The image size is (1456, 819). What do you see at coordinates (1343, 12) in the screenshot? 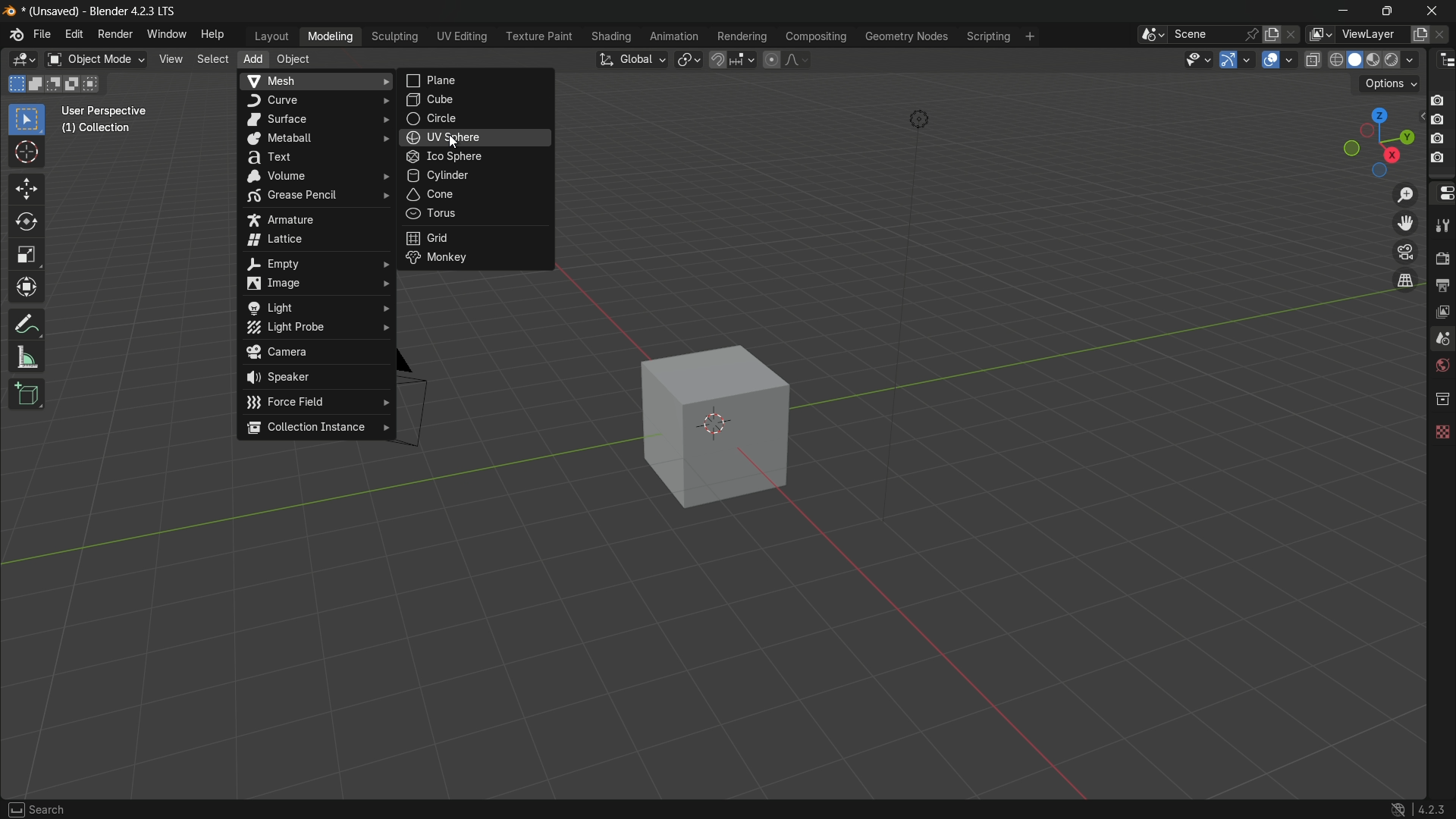
I see `minimize` at bounding box center [1343, 12].